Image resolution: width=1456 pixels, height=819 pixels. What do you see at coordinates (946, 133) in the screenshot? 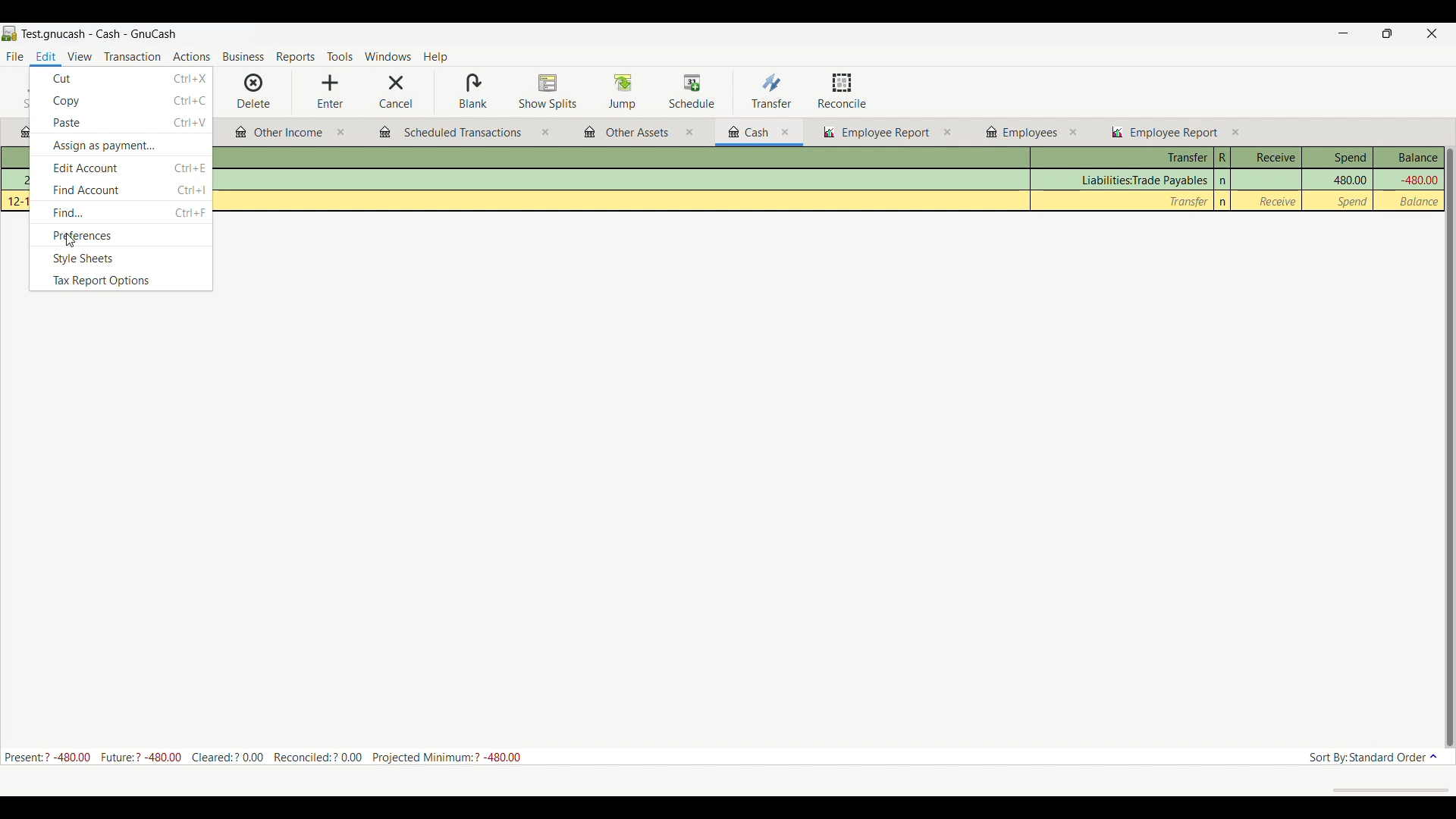
I see `close` at bounding box center [946, 133].